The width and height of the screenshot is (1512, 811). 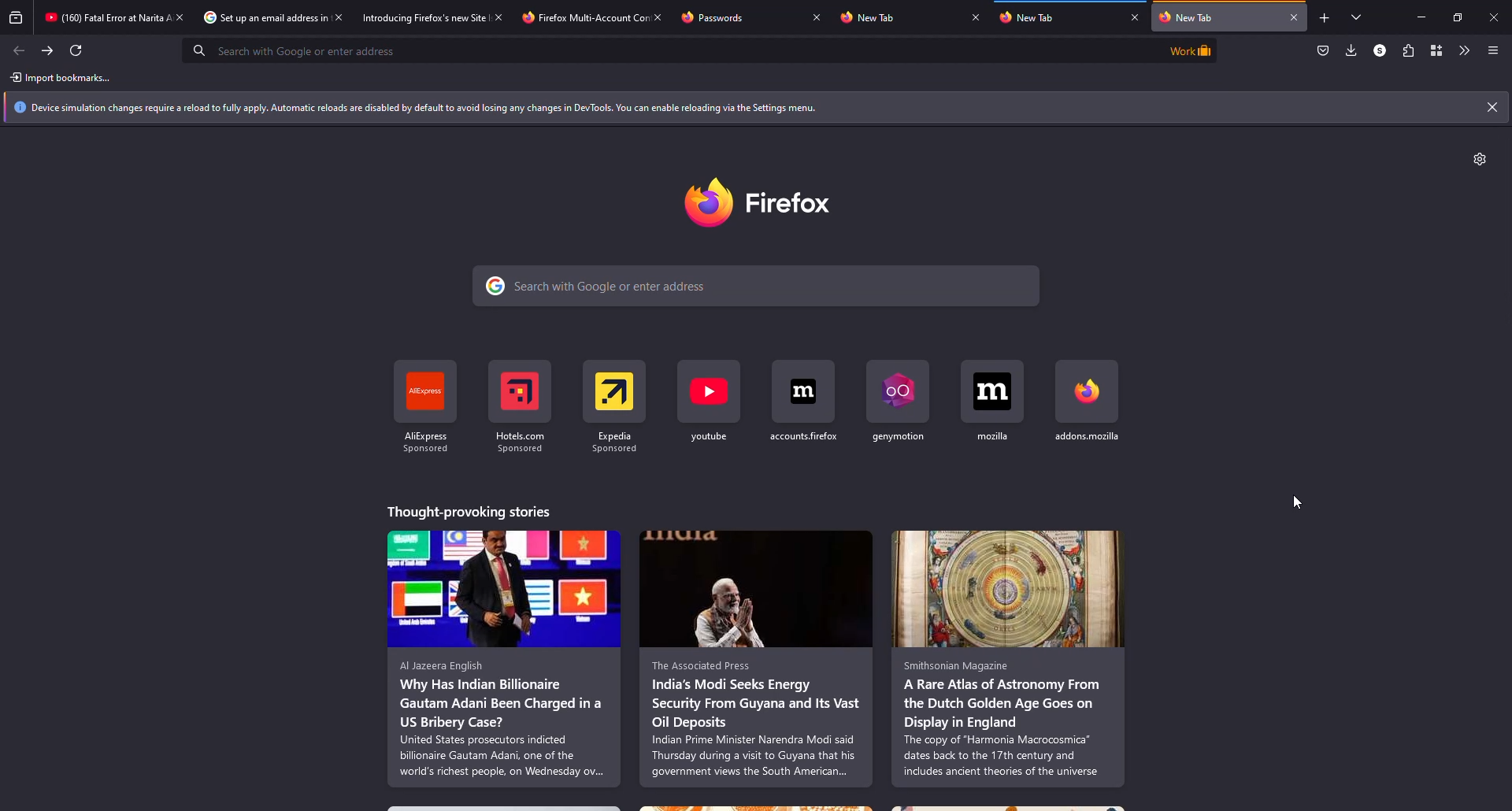 What do you see at coordinates (504, 588) in the screenshot?
I see `Story banner` at bounding box center [504, 588].